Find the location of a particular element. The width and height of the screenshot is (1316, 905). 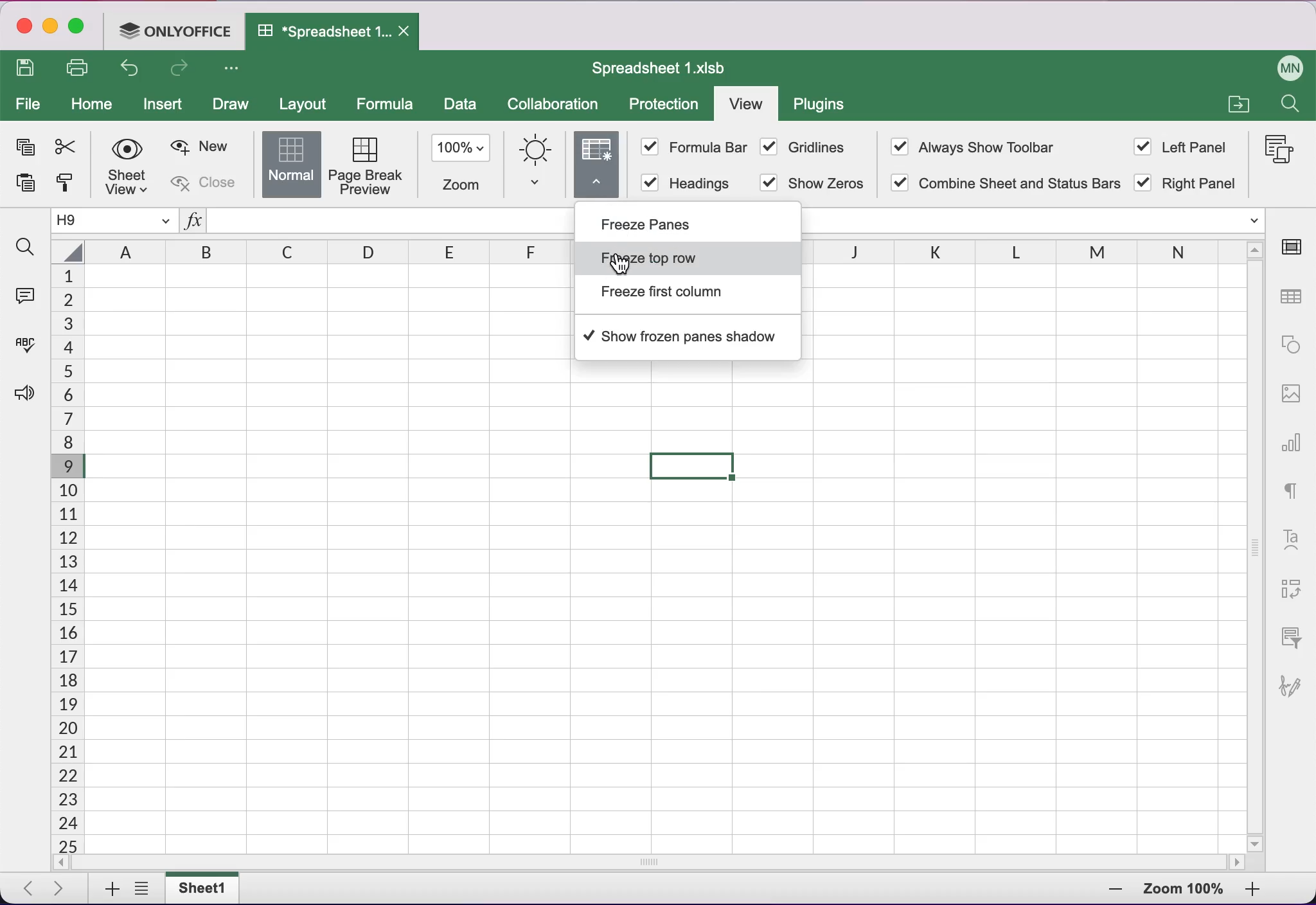

maximize is located at coordinates (79, 28).